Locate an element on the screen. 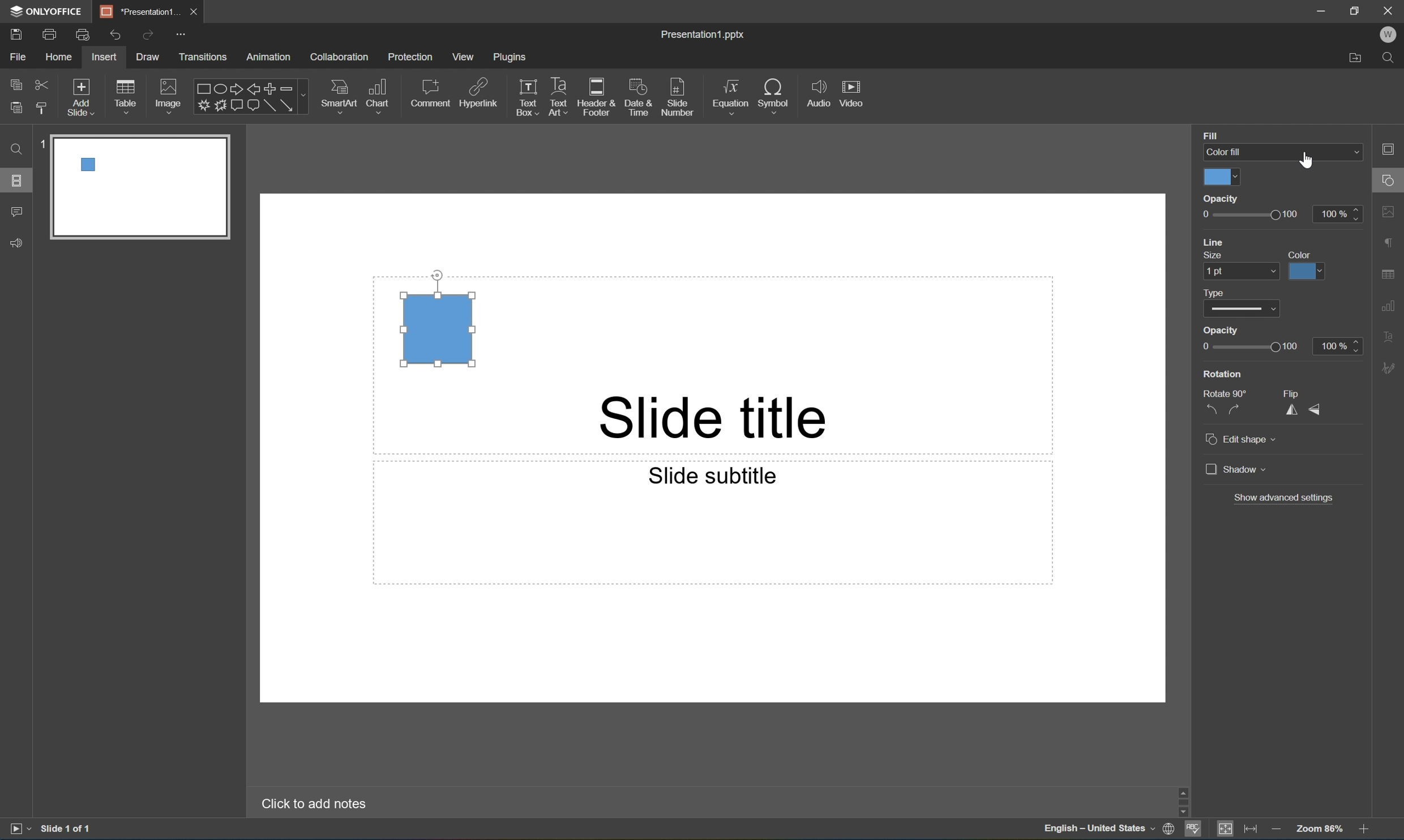 The image size is (1404, 840). Start slideshow is located at coordinates (19, 829).